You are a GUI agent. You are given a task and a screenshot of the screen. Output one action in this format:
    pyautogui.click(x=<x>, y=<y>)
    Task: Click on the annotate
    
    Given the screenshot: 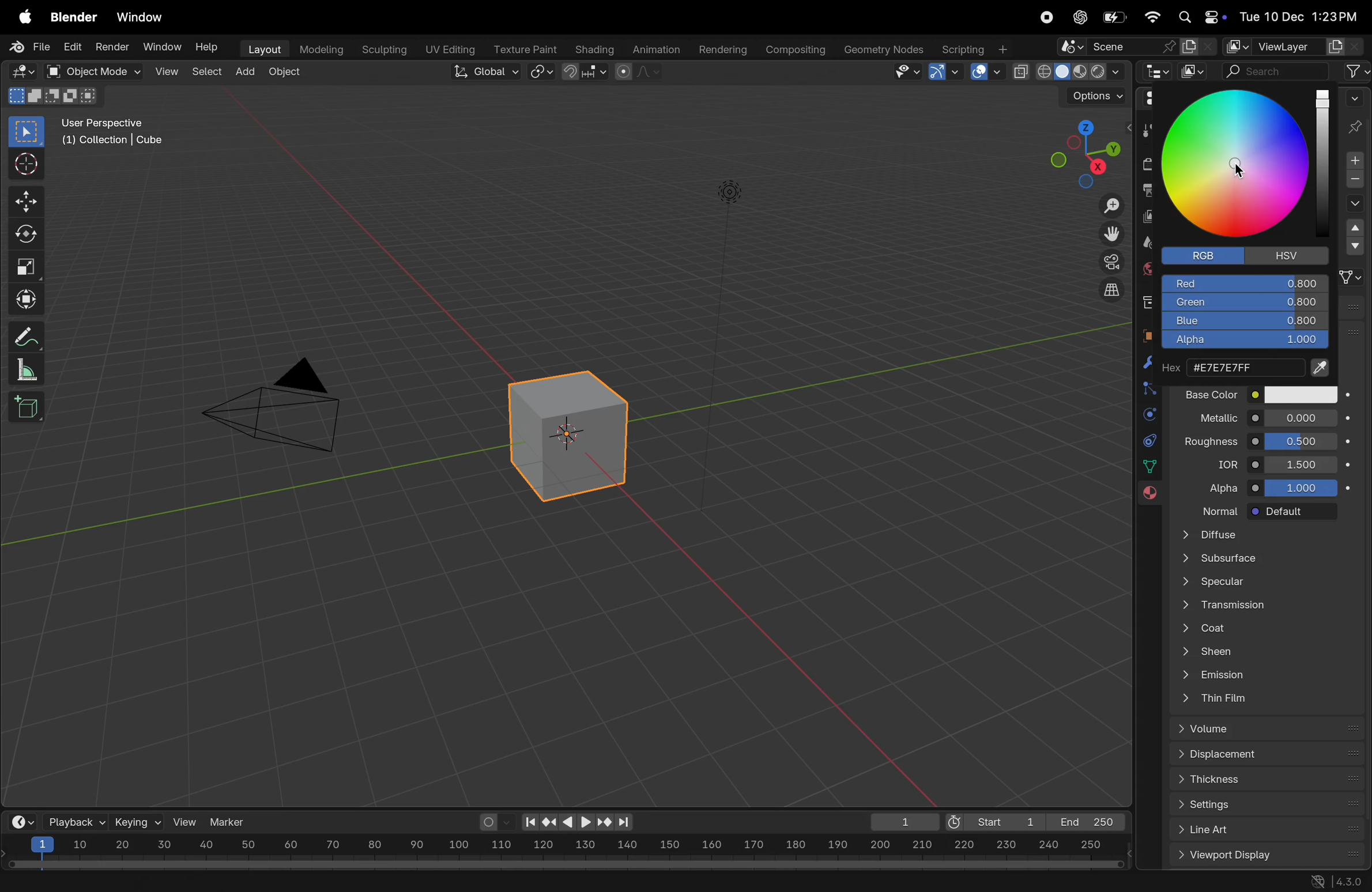 What is the action you would take?
    pyautogui.click(x=22, y=336)
    